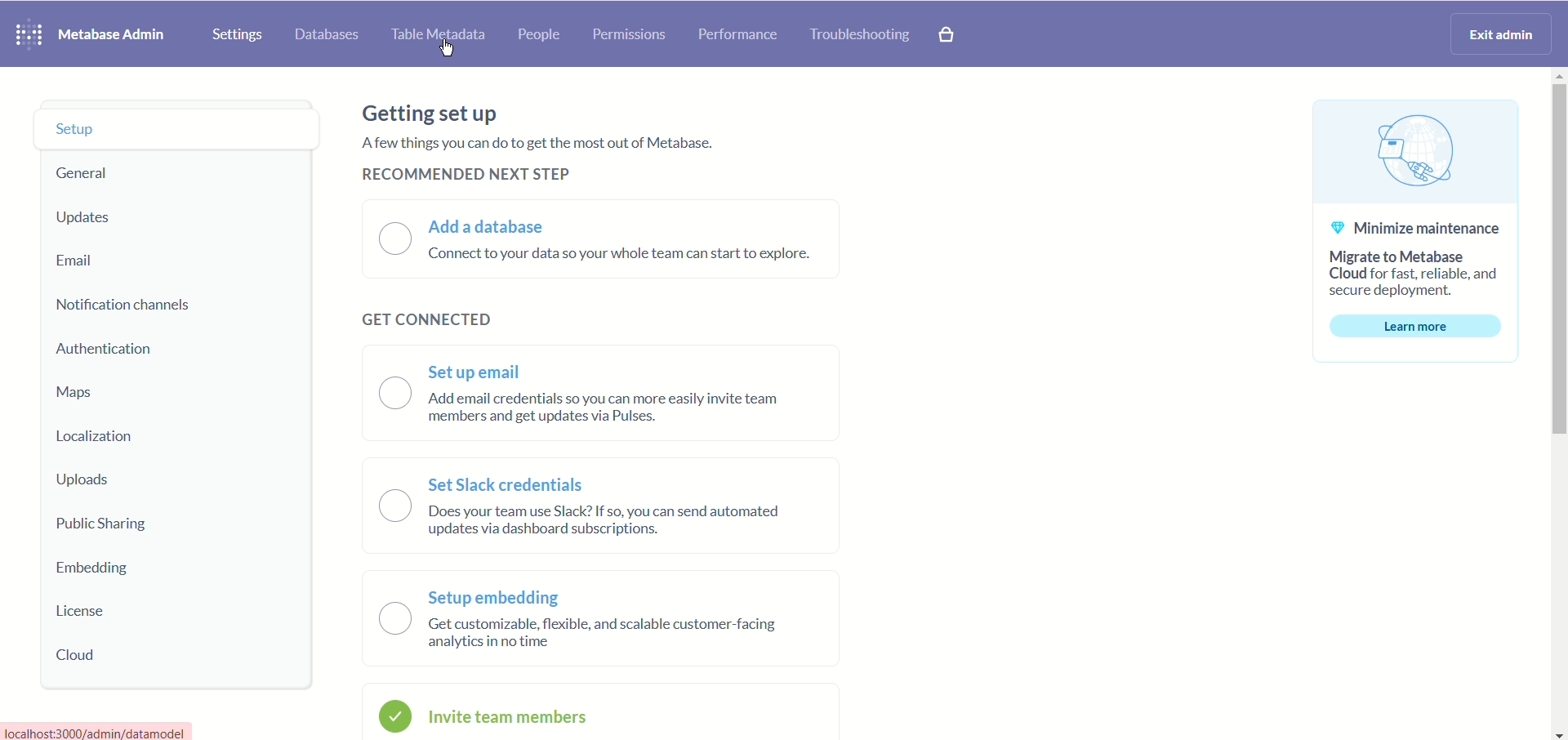  What do you see at coordinates (92, 437) in the screenshot?
I see `Localization` at bounding box center [92, 437].